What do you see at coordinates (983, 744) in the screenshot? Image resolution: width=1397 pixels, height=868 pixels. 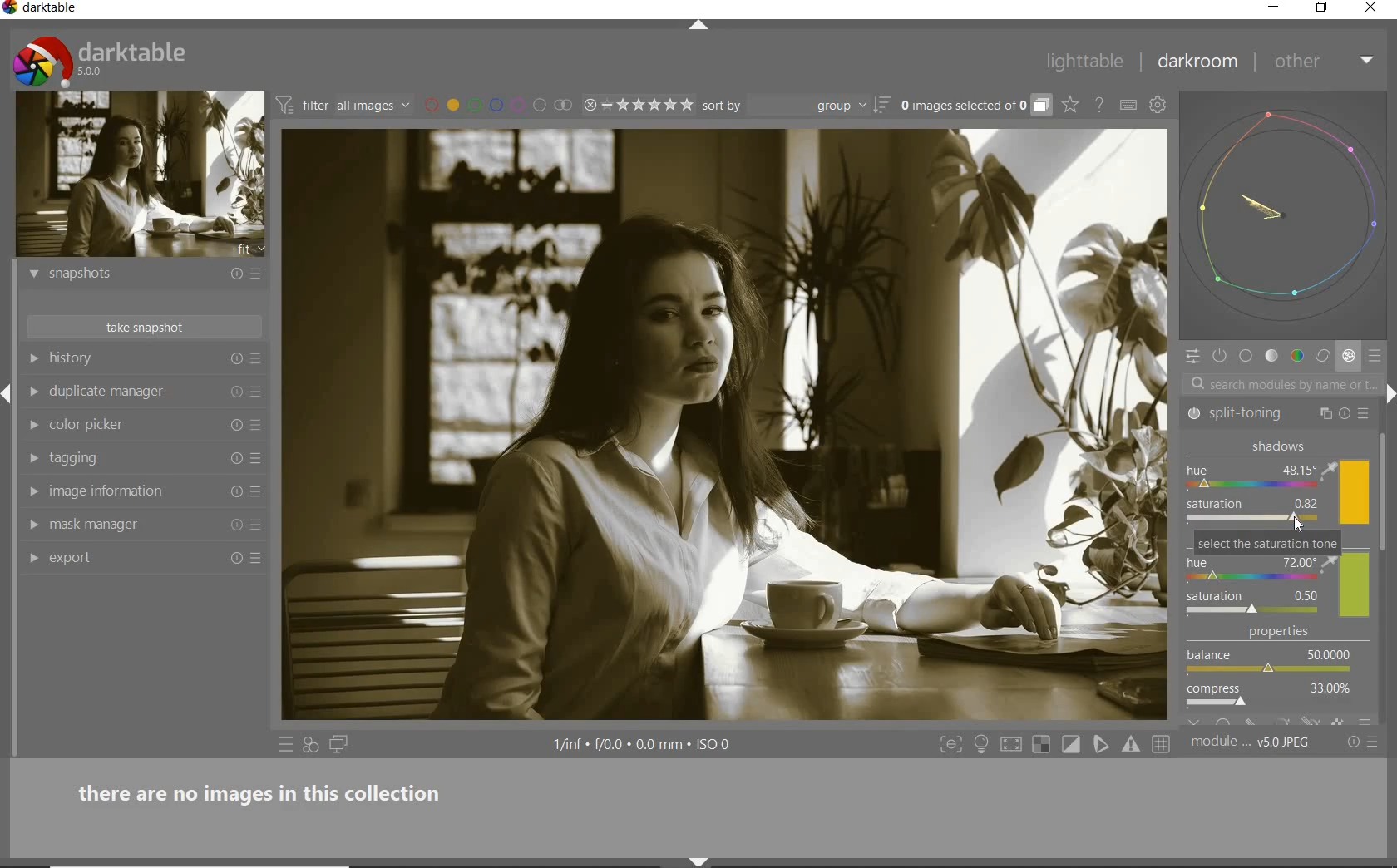 I see `ctrl+b` at bounding box center [983, 744].